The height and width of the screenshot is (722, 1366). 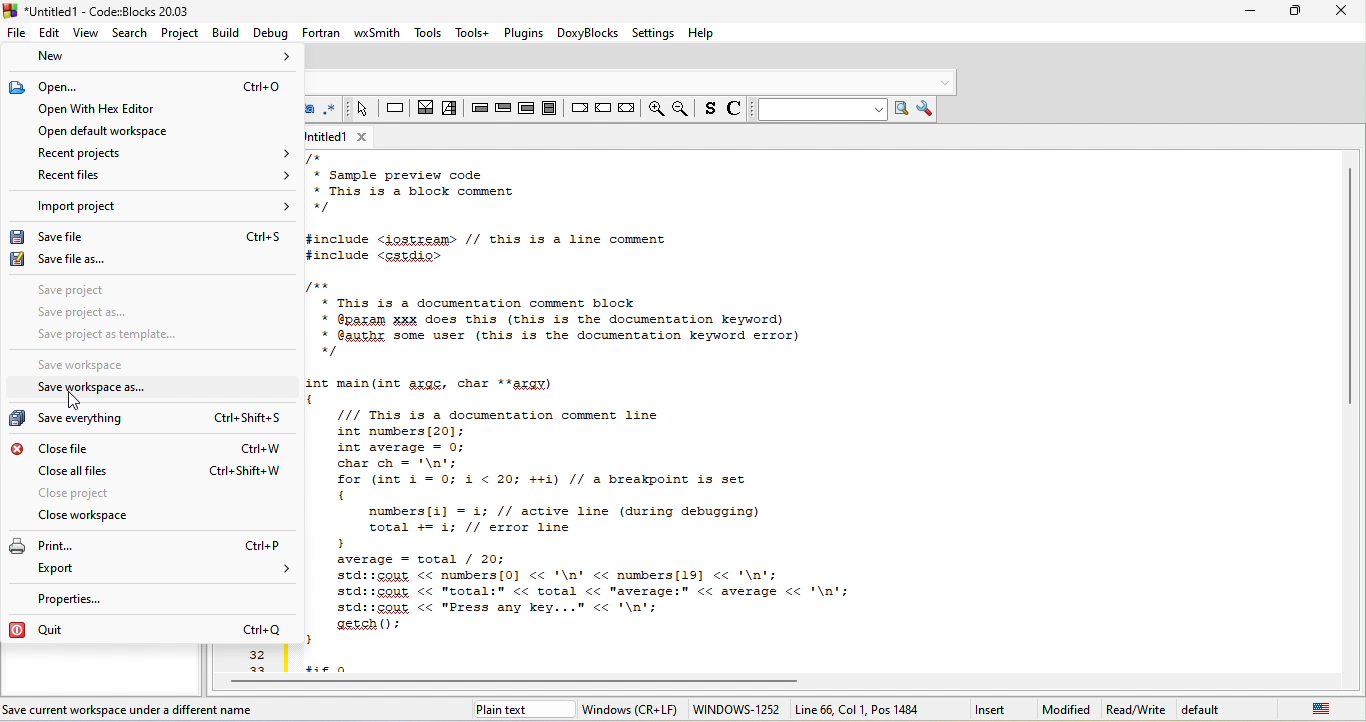 I want to click on edit, so click(x=48, y=34).